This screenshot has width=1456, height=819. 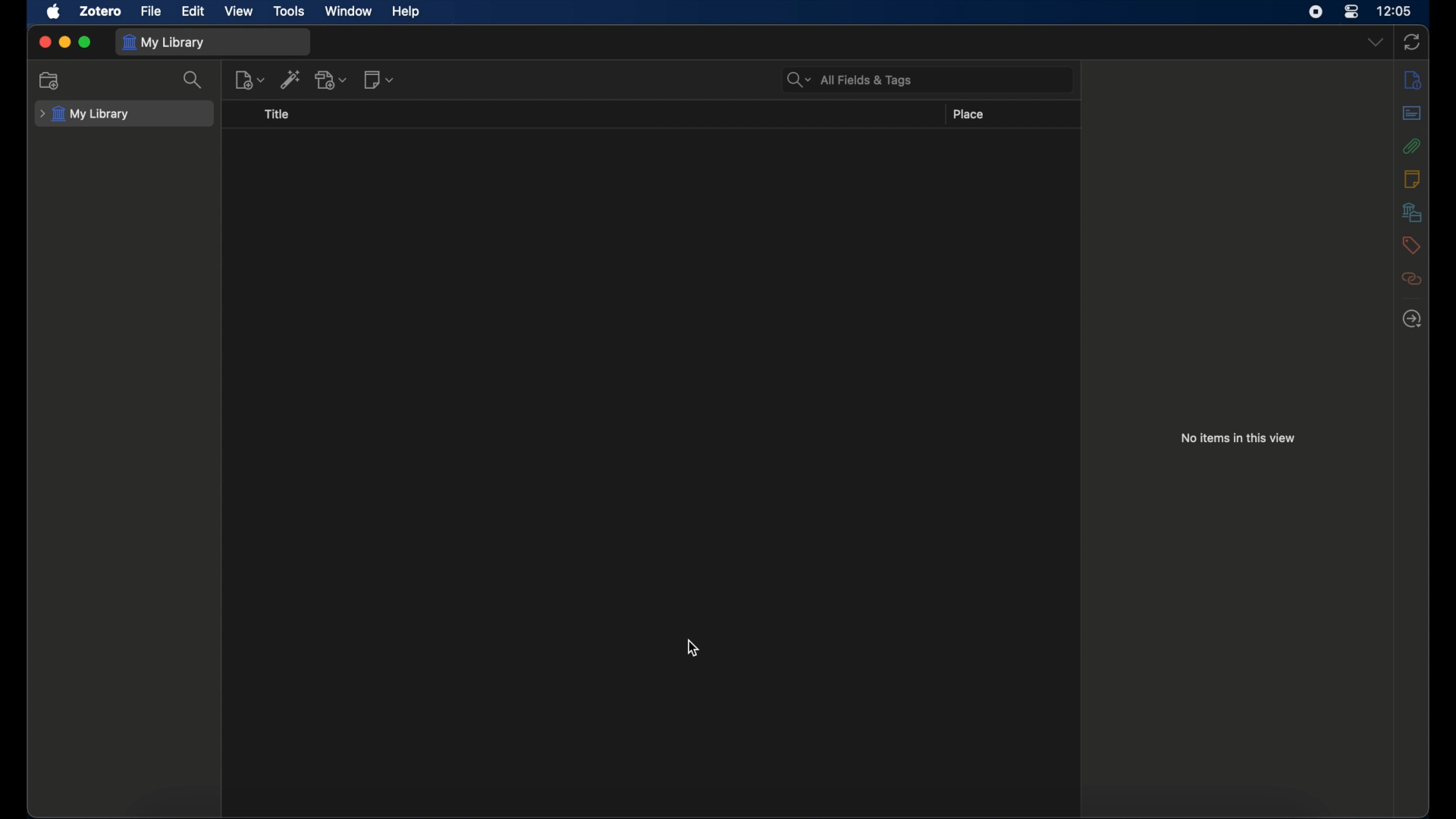 I want to click on info, so click(x=1412, y=80).